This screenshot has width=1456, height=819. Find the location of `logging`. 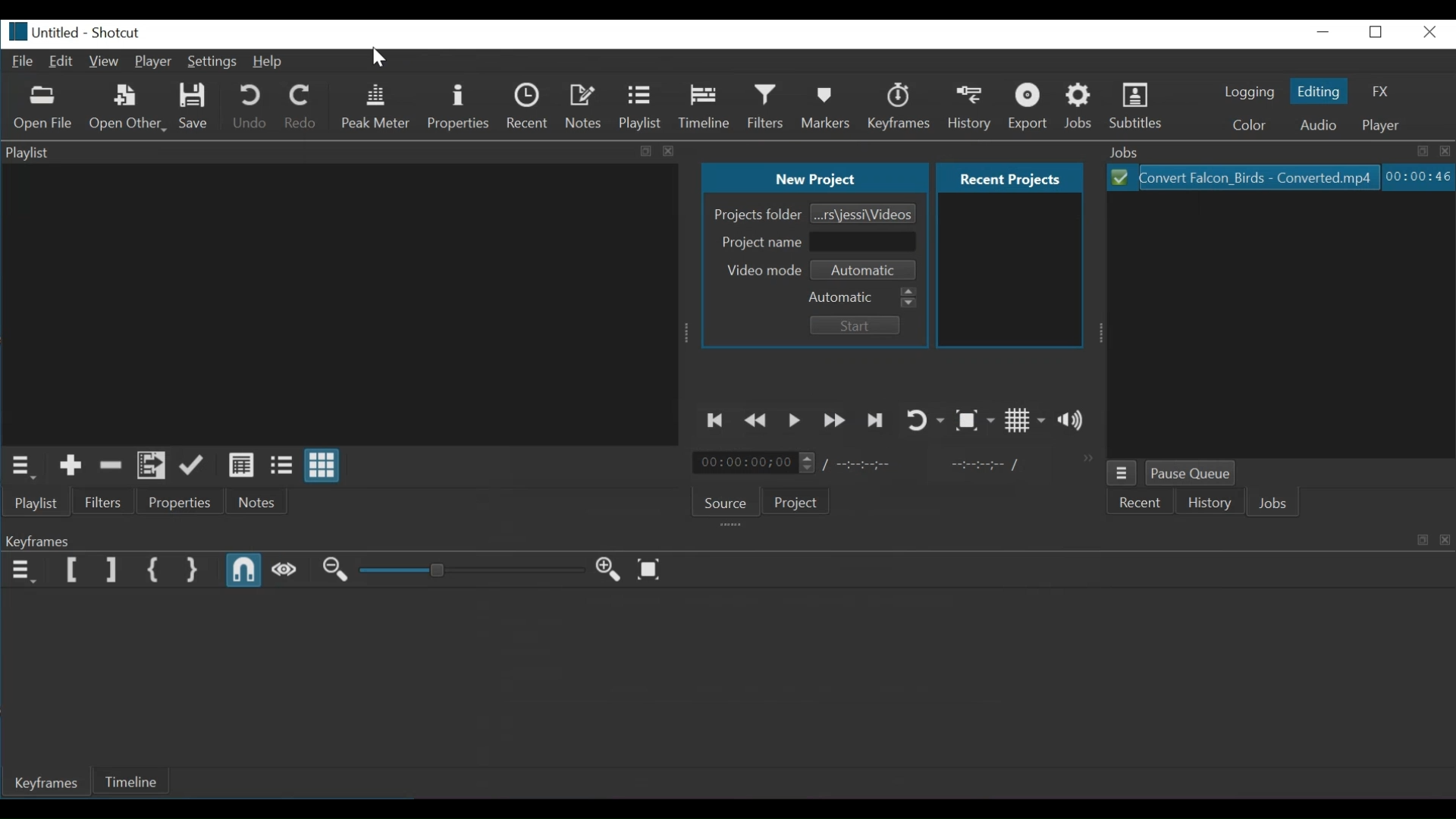

logging is located at coordinates (1250, 93).